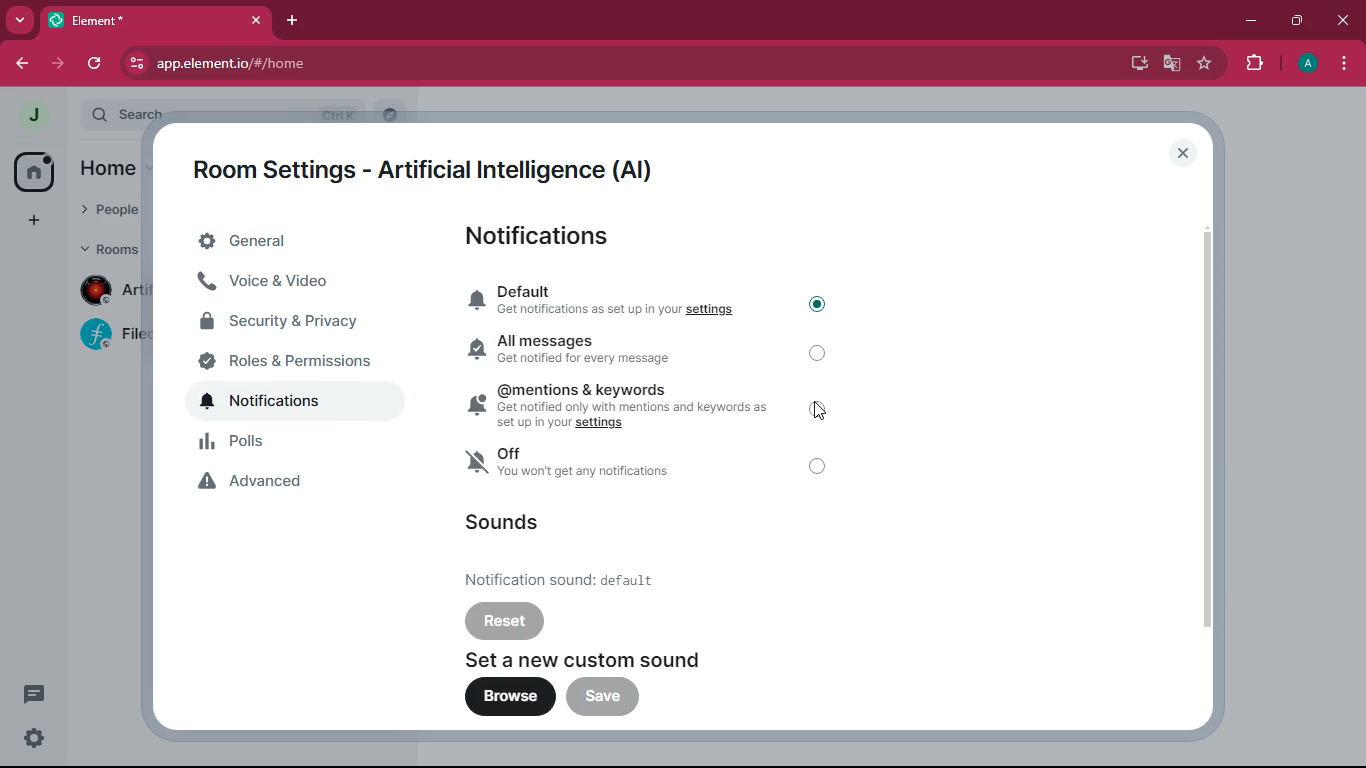  Describe the element at coordinates (820, 410) in the screenshot. I see `off` at that location.